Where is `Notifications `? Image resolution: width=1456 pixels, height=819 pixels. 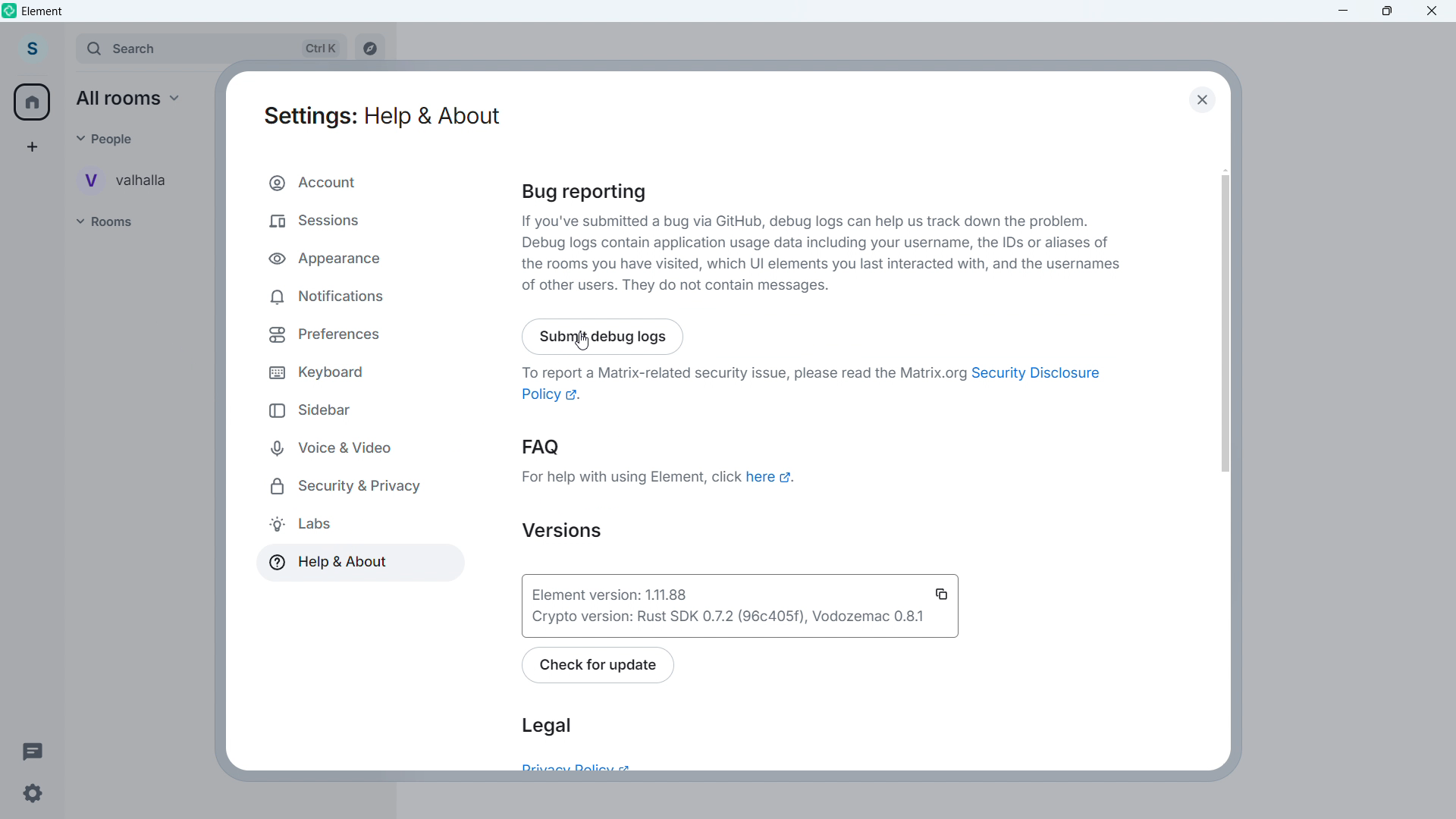 Notifications  is located at coordinates (338, 296).